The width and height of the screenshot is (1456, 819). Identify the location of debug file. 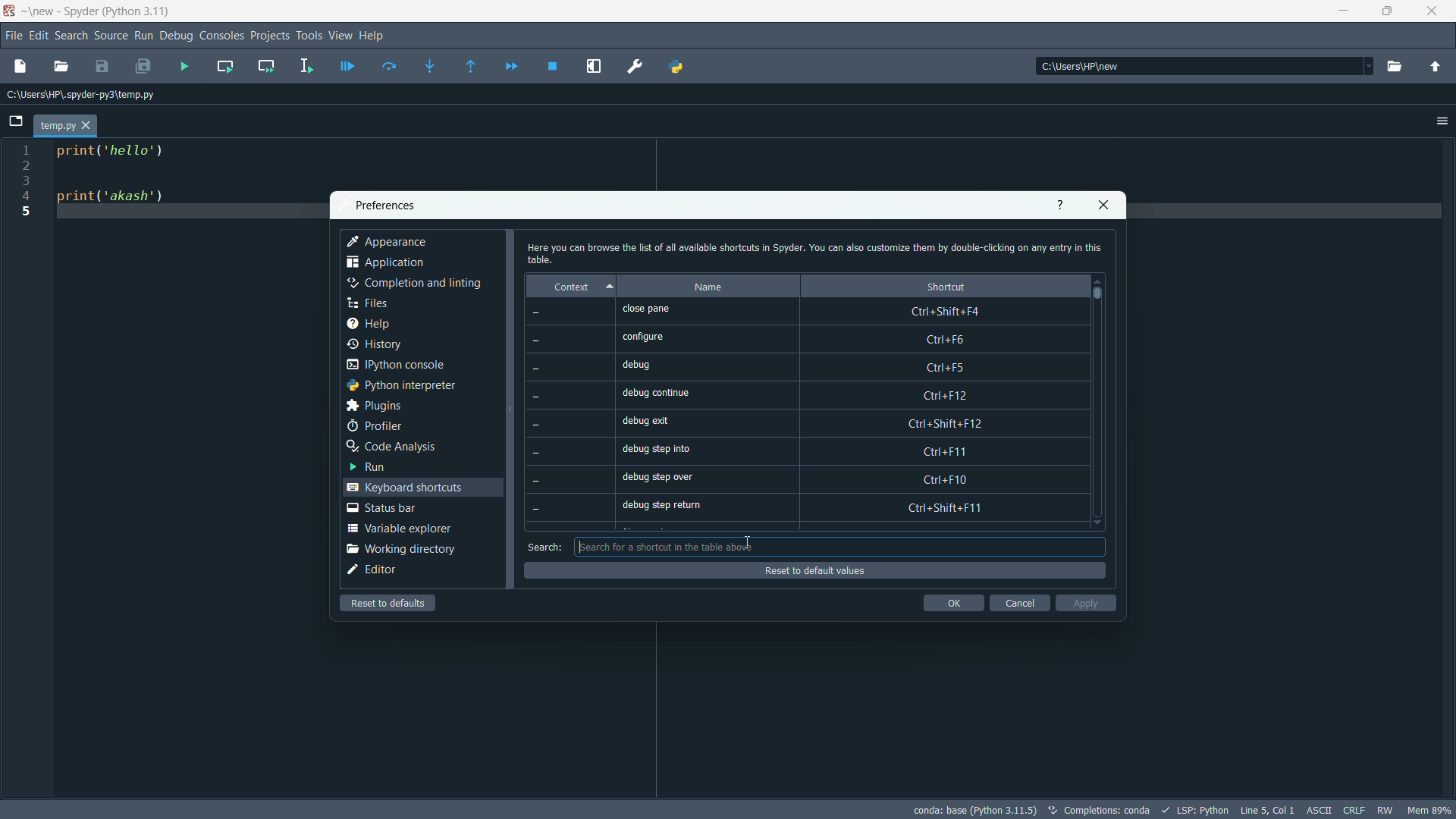
(347, 65).